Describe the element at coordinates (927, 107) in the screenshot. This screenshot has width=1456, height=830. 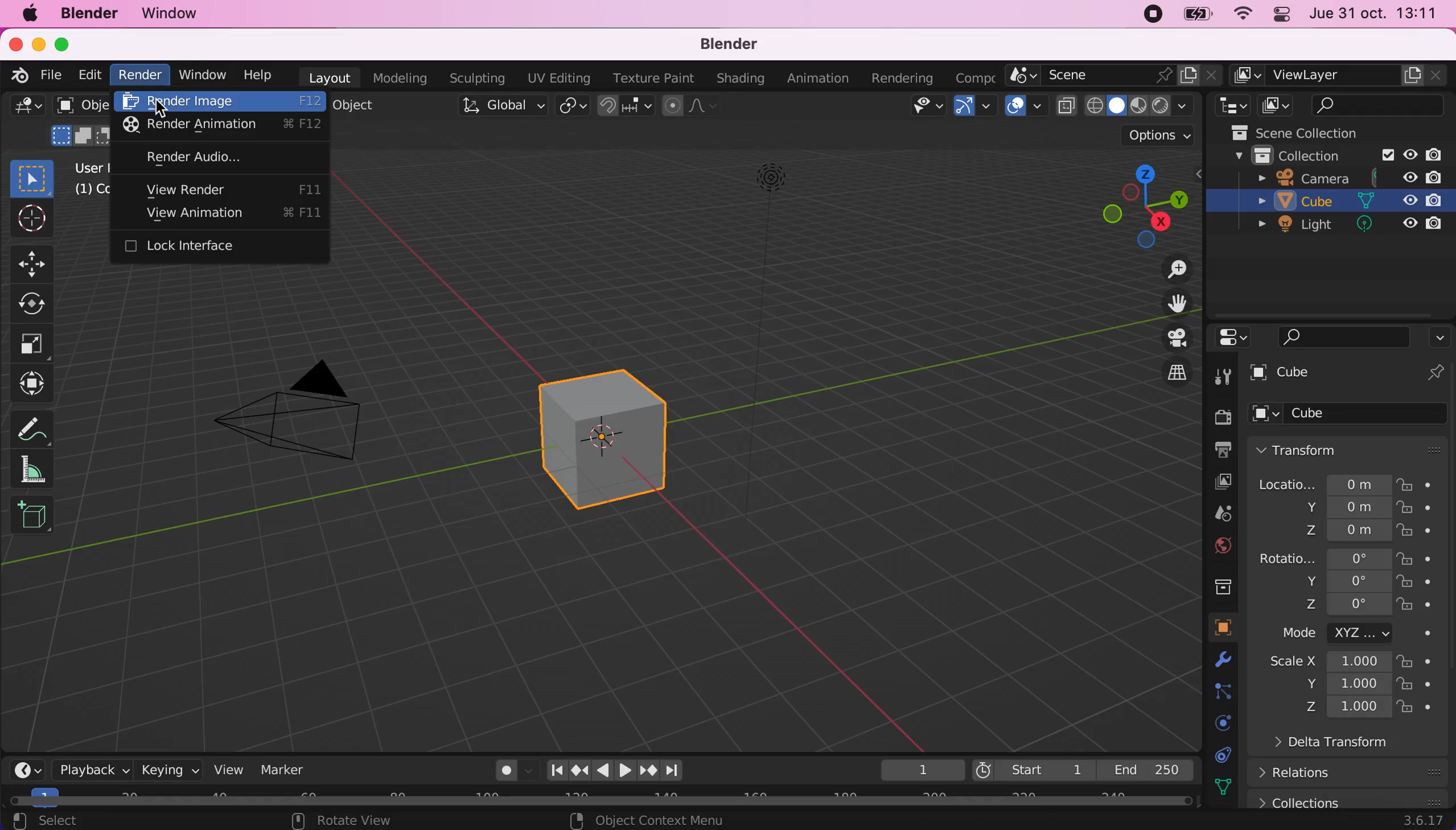
I see `selectability & visibility` at that location.